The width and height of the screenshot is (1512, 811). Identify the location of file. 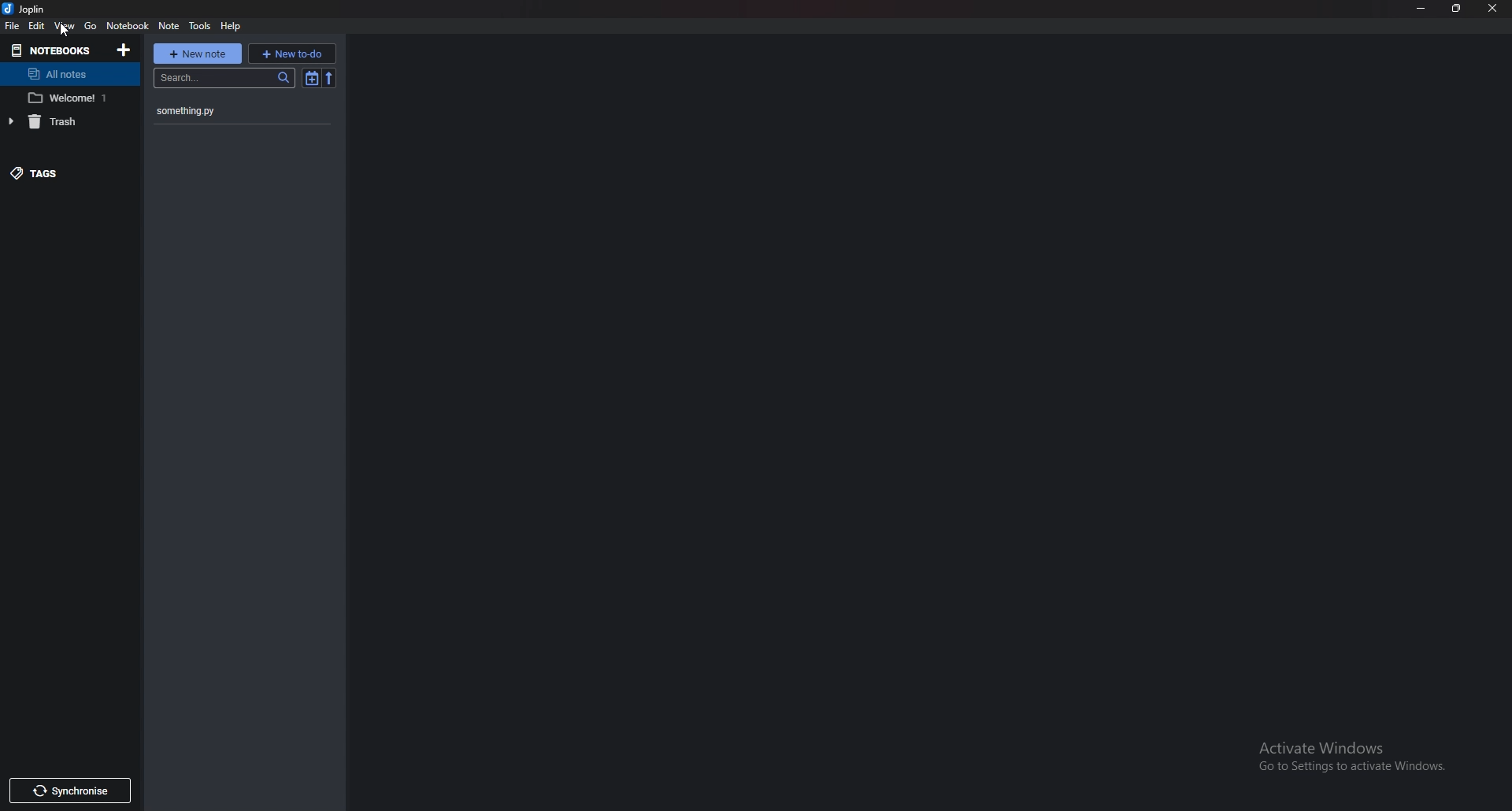
(15, 26).